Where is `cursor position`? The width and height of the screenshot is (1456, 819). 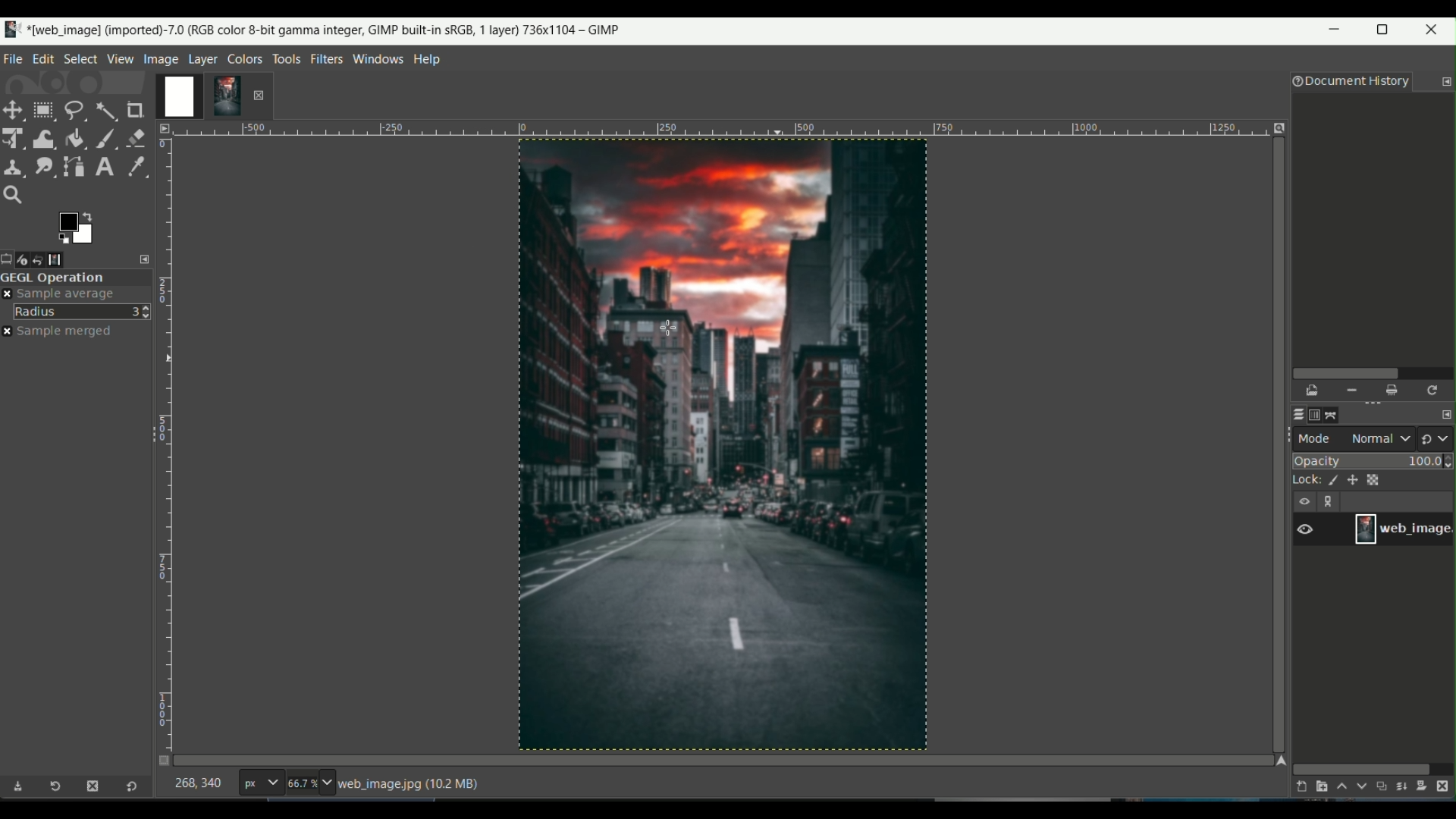 cursor position is located at coordinates (199, 786).